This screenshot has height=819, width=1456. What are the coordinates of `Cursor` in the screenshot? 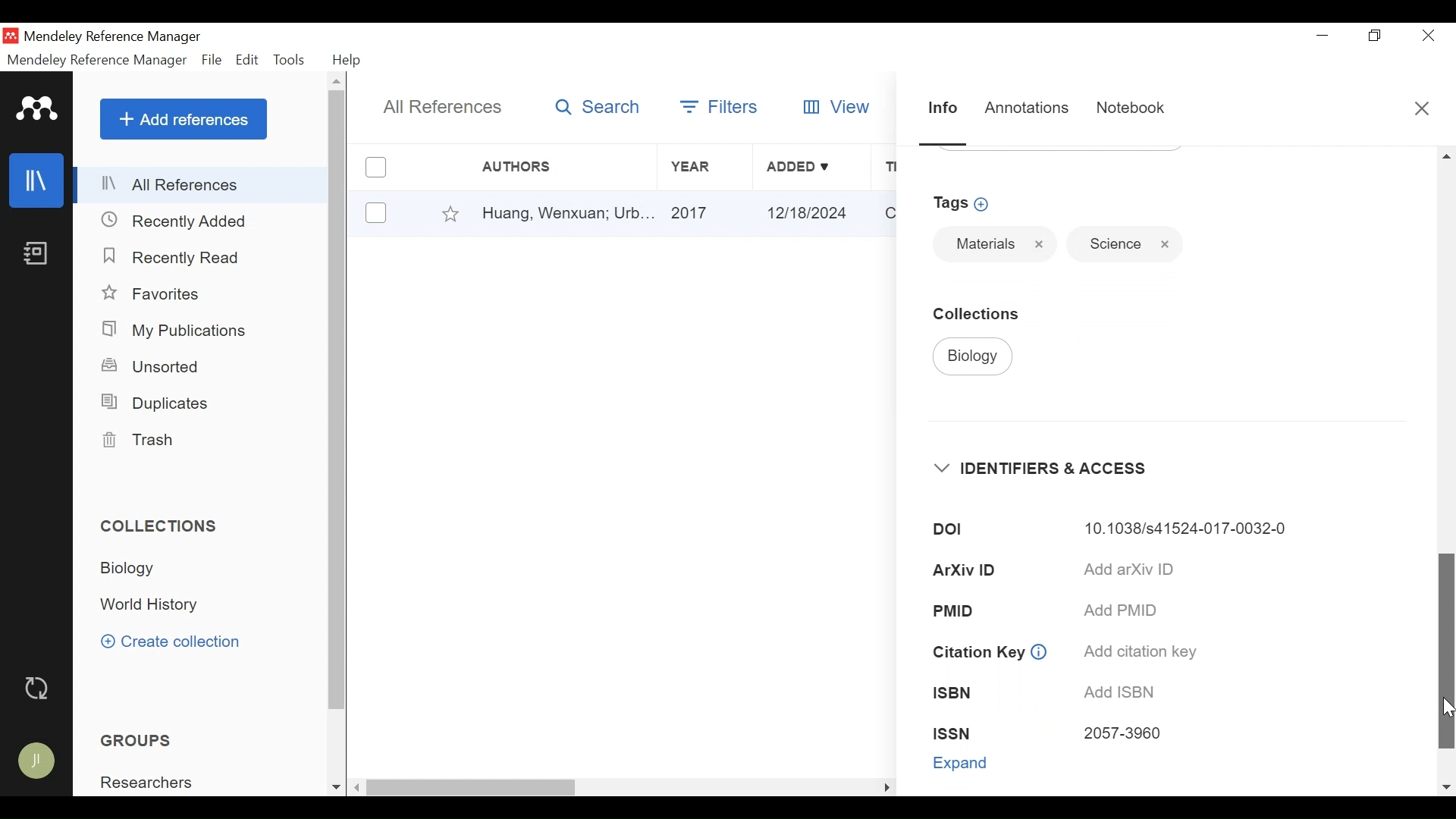 It's located at (1447, 708).